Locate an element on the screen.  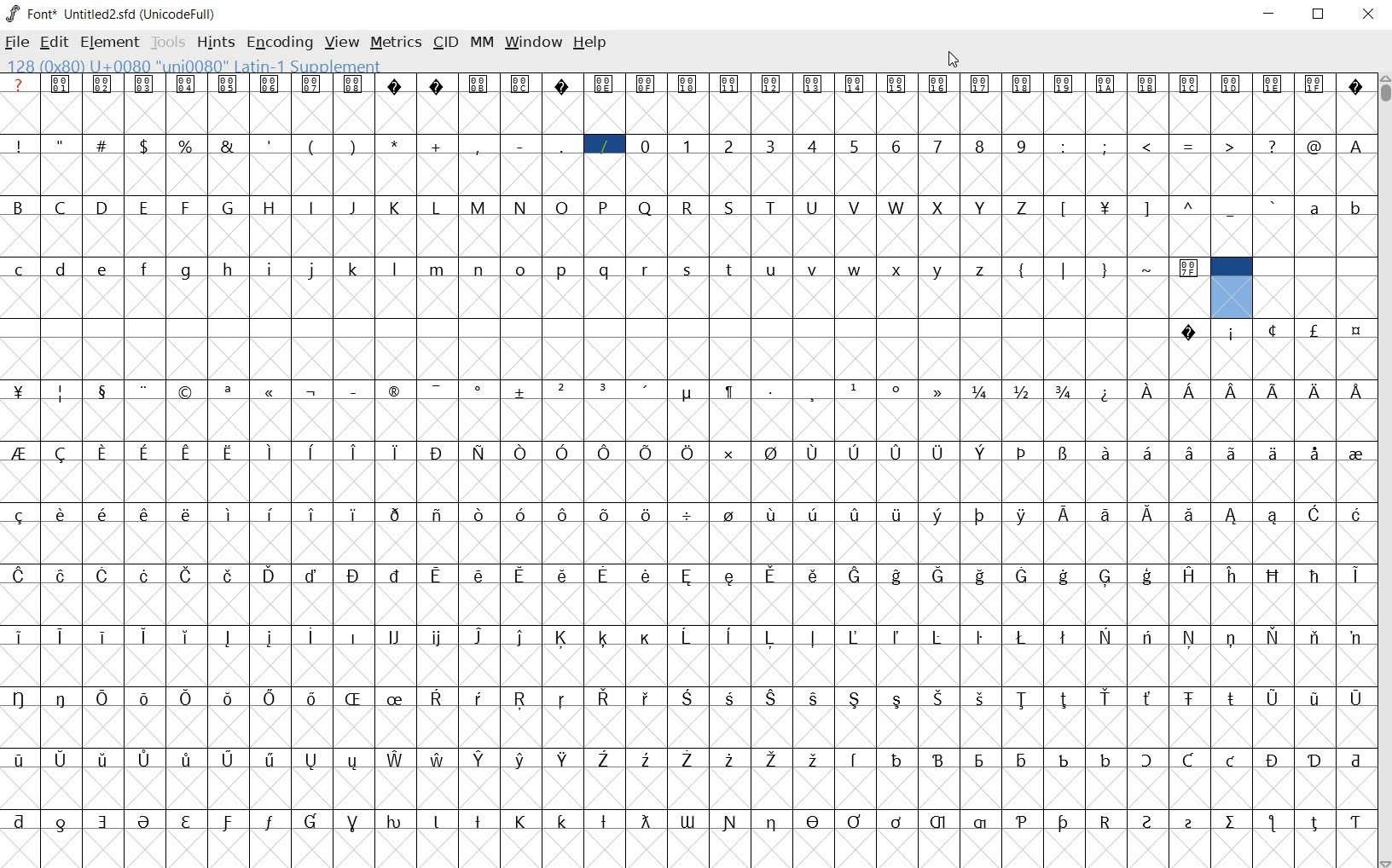
Y is located at coordinates (981, 205).